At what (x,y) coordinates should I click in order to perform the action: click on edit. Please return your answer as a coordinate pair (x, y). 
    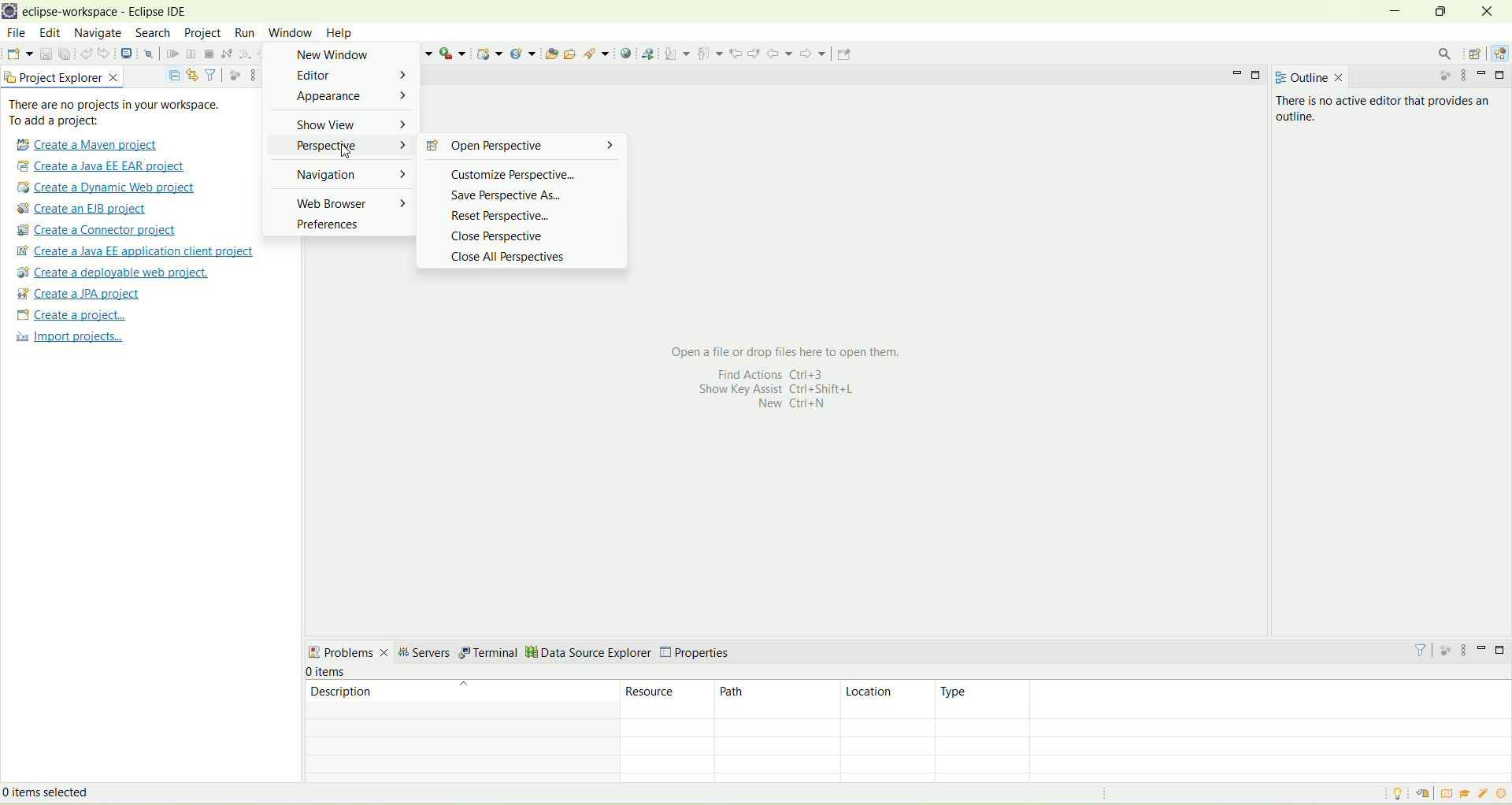
    Looking at the image, I should click on (51, 35).